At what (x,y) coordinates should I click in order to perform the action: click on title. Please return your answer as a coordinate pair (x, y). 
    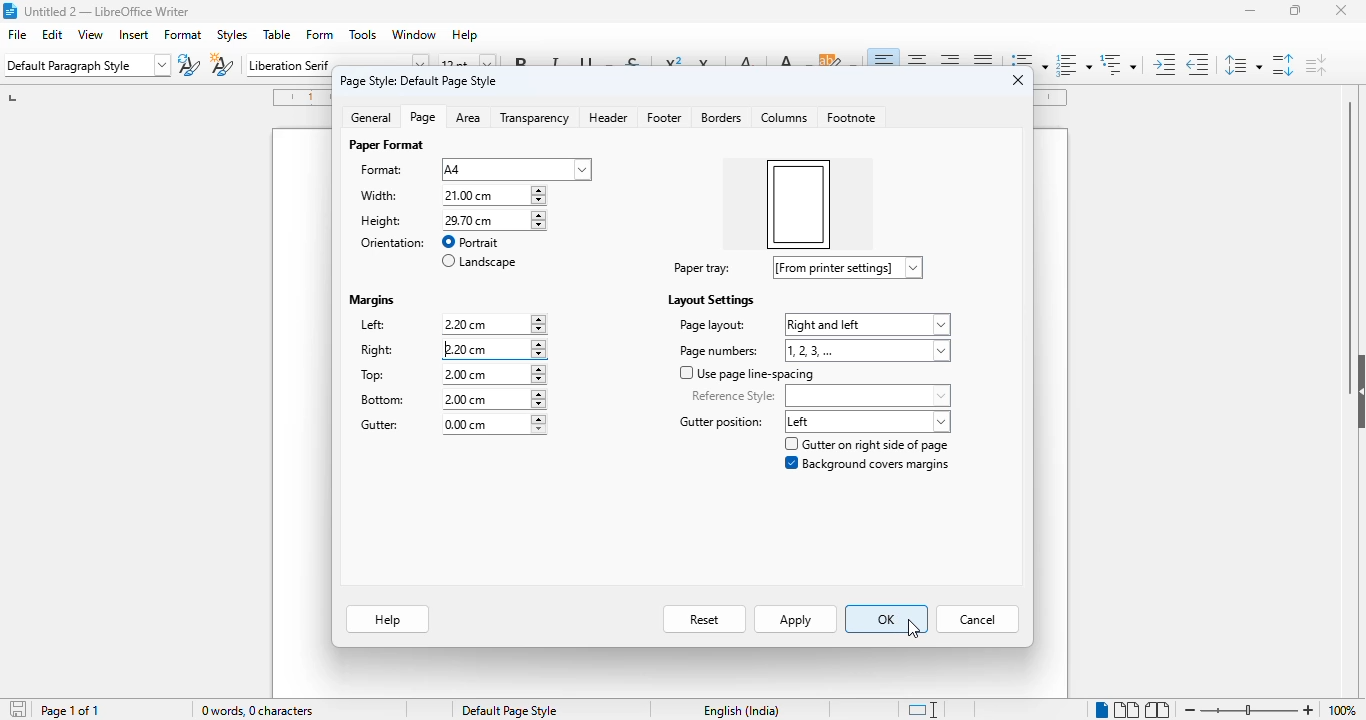
    Looking at the image, I should click on (108, 11).